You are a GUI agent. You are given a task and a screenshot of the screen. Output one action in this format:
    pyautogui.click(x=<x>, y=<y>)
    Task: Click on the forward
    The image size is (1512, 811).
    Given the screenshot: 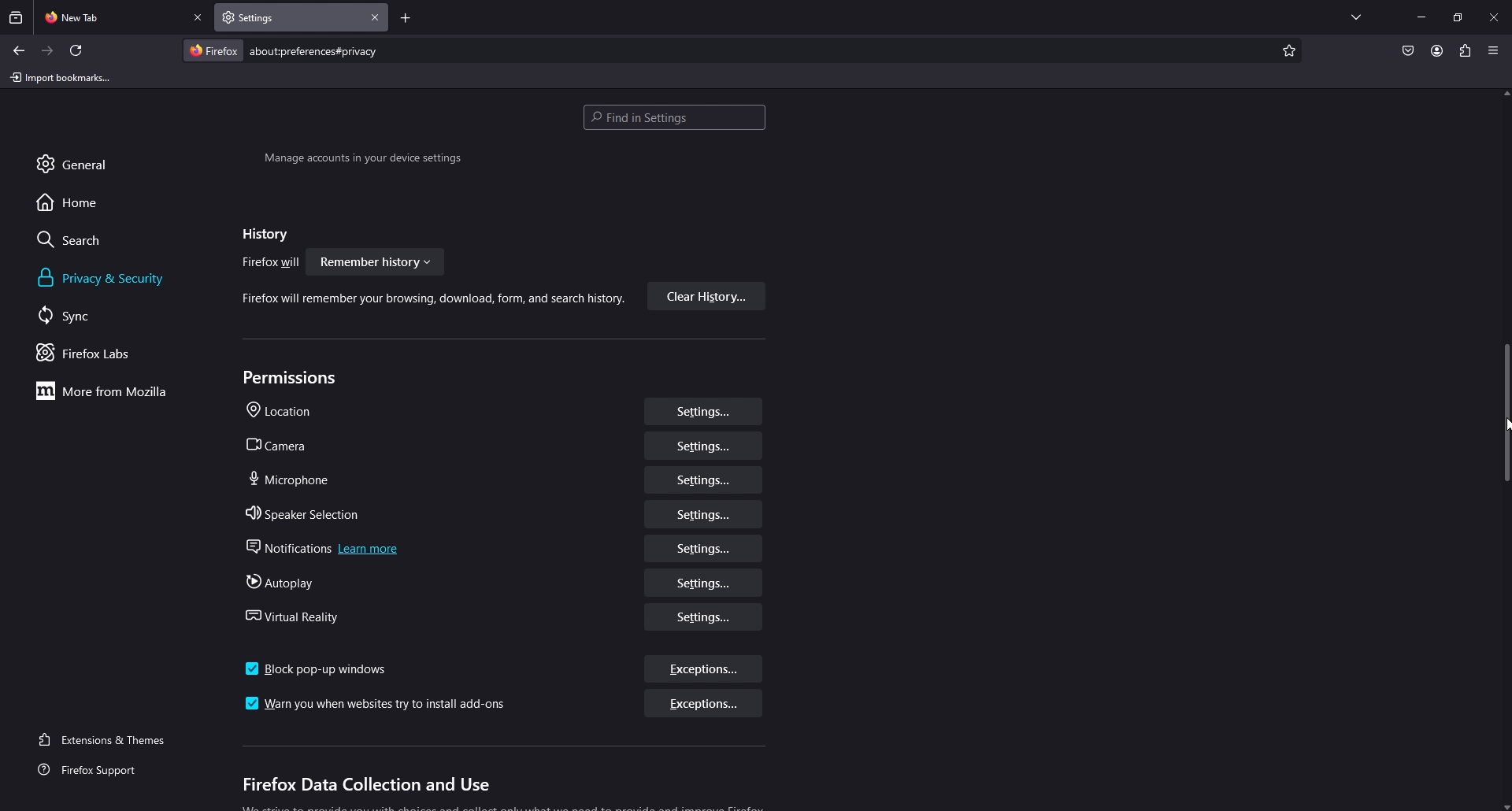 What is the action you would take?
    pyautogui.click(x=48, y=51)
    